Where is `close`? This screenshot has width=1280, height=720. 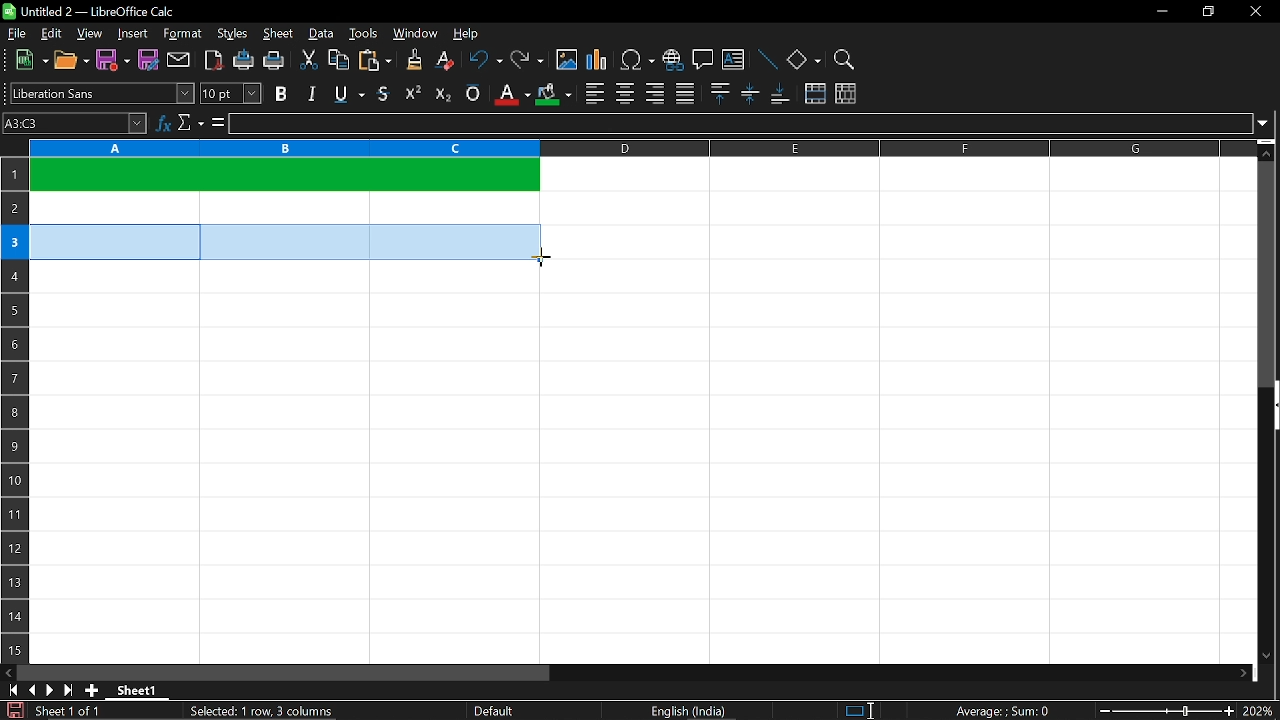 close is located at coordinates (1257, 12).